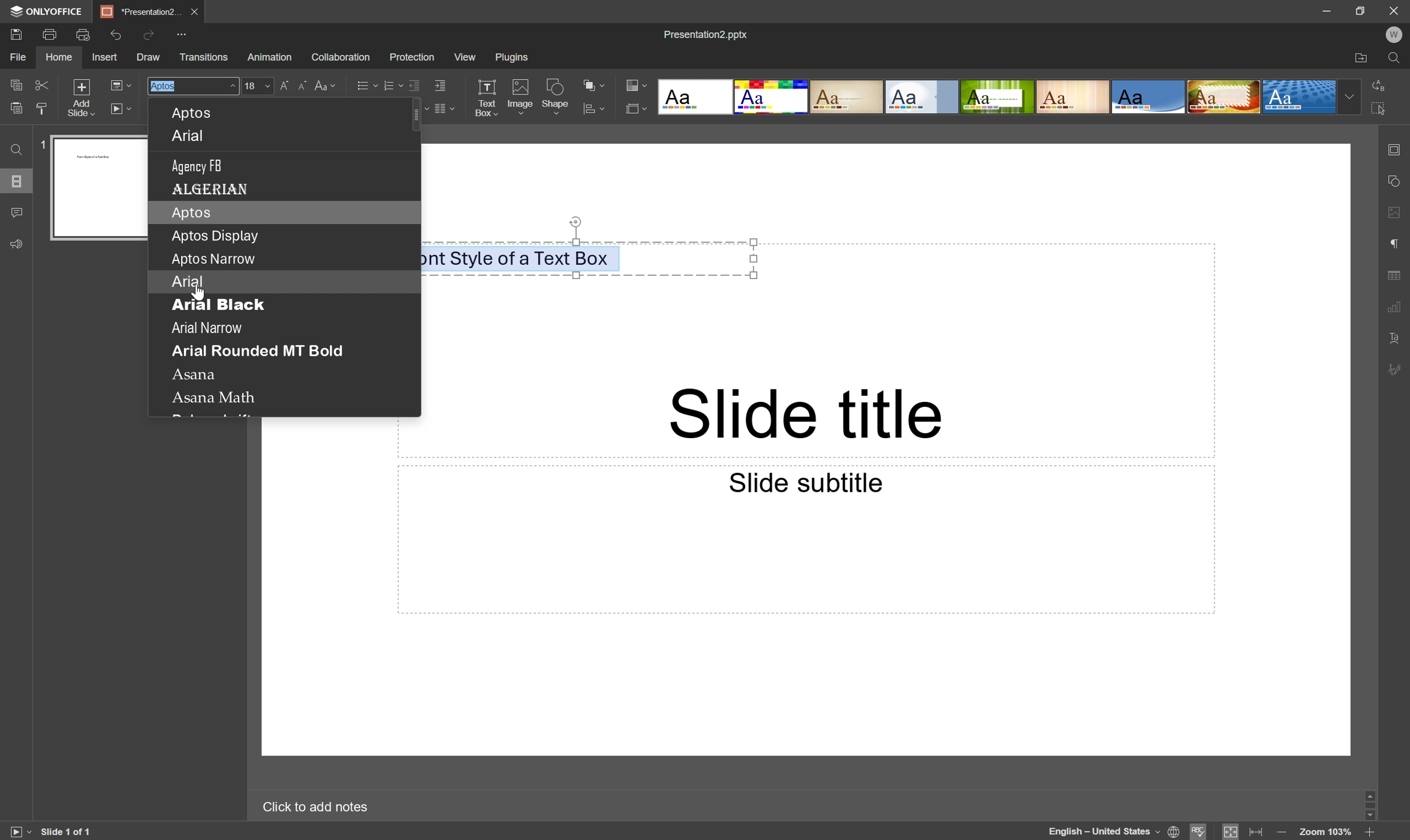  I want to click on Shape settings, so click(1397, 182).